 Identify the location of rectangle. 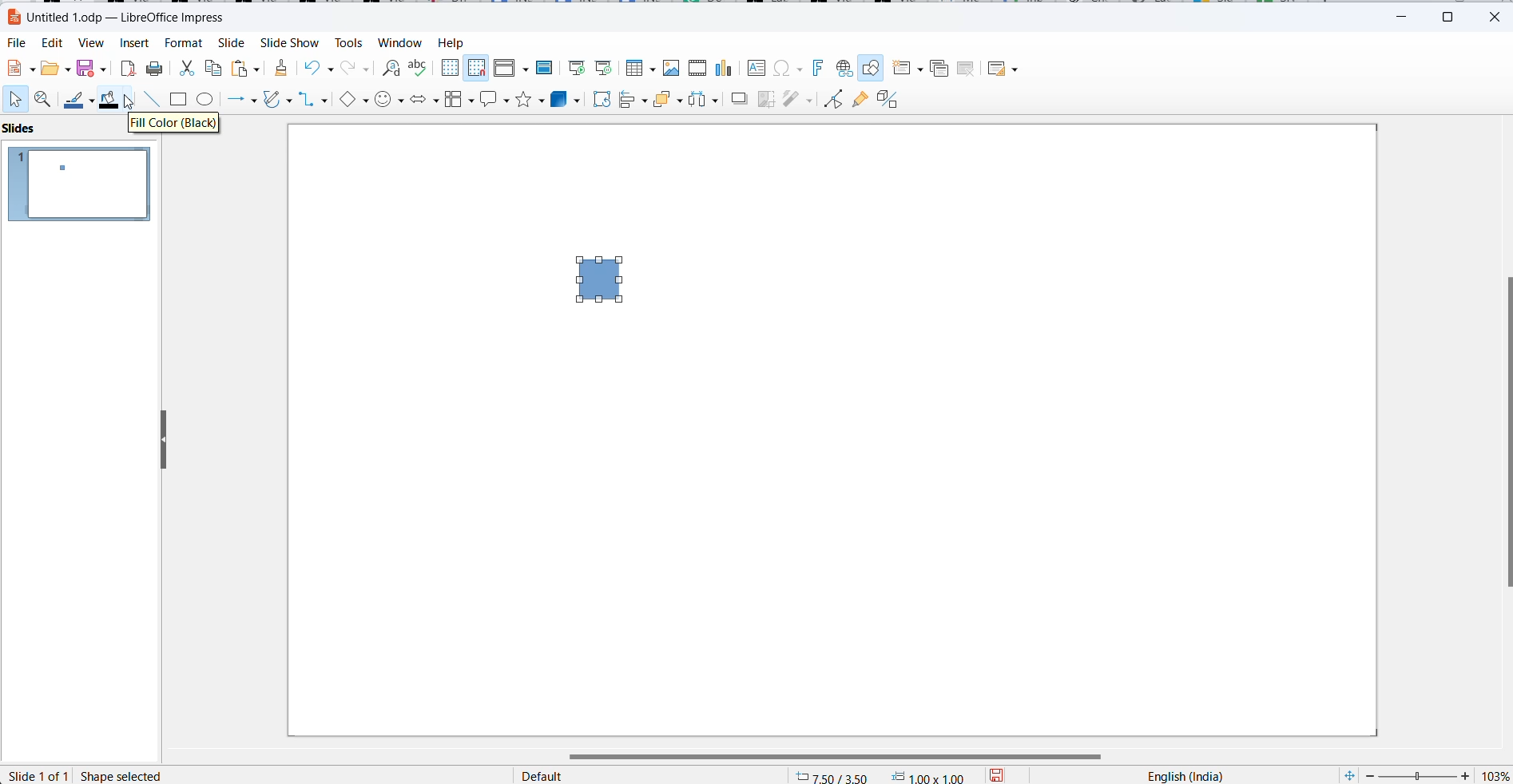
(606, 283).